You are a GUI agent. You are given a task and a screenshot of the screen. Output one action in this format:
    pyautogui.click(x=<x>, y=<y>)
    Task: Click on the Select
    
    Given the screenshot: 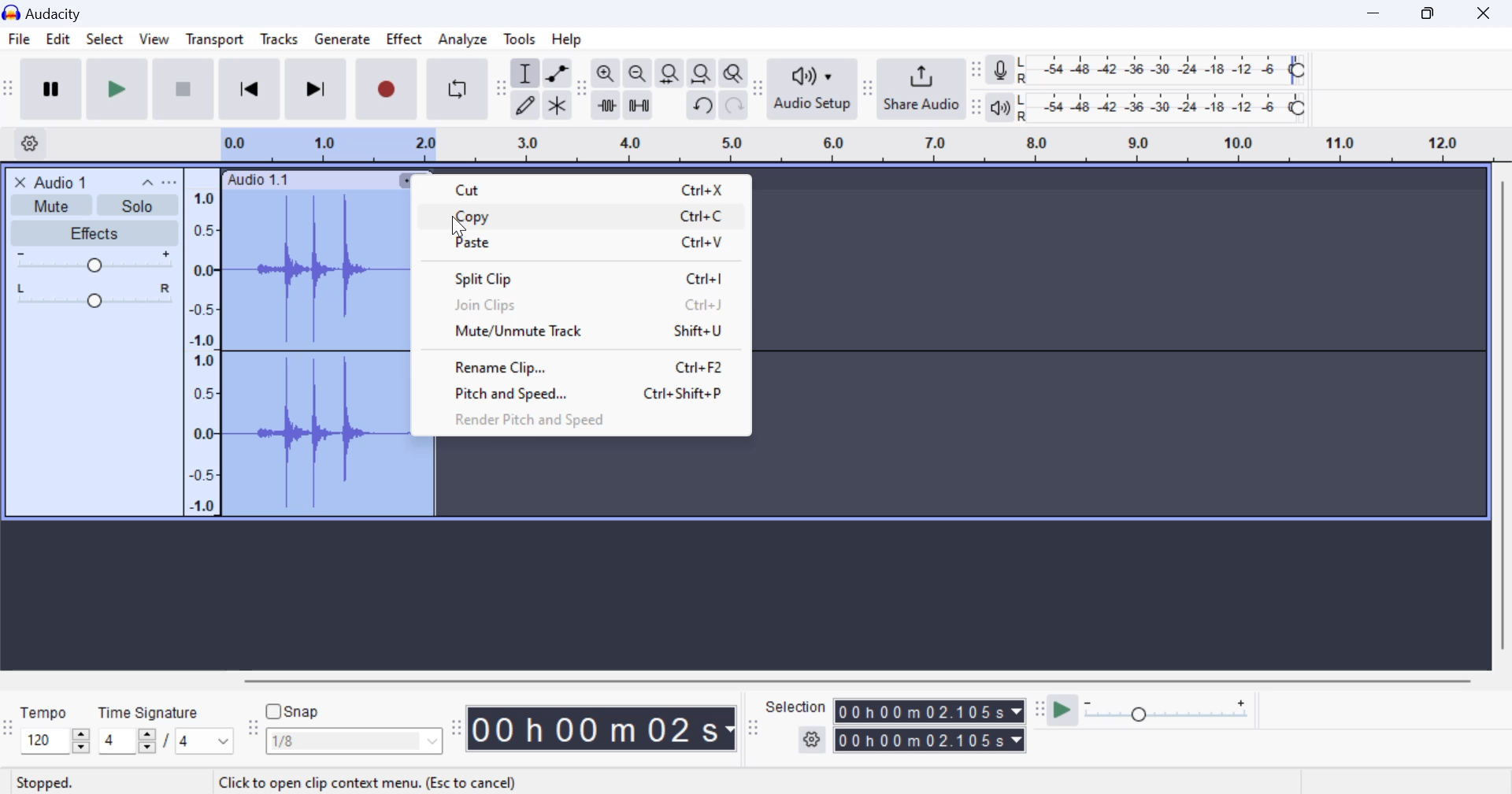 What is the action you would take?
    pyautogui.click(x=104, y=43)
    